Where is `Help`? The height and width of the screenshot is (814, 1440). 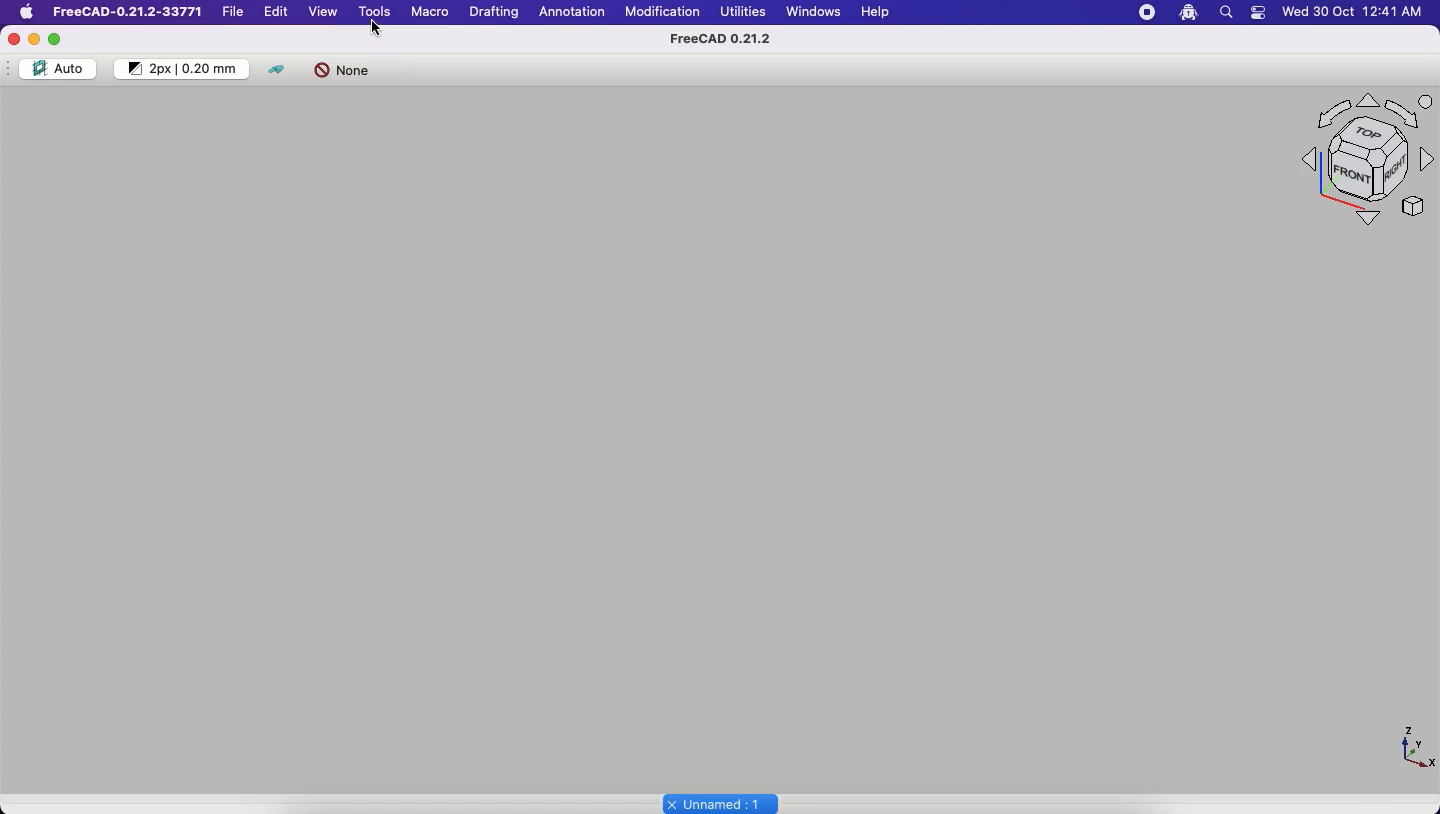
Help is located at coordinates (874, 11).